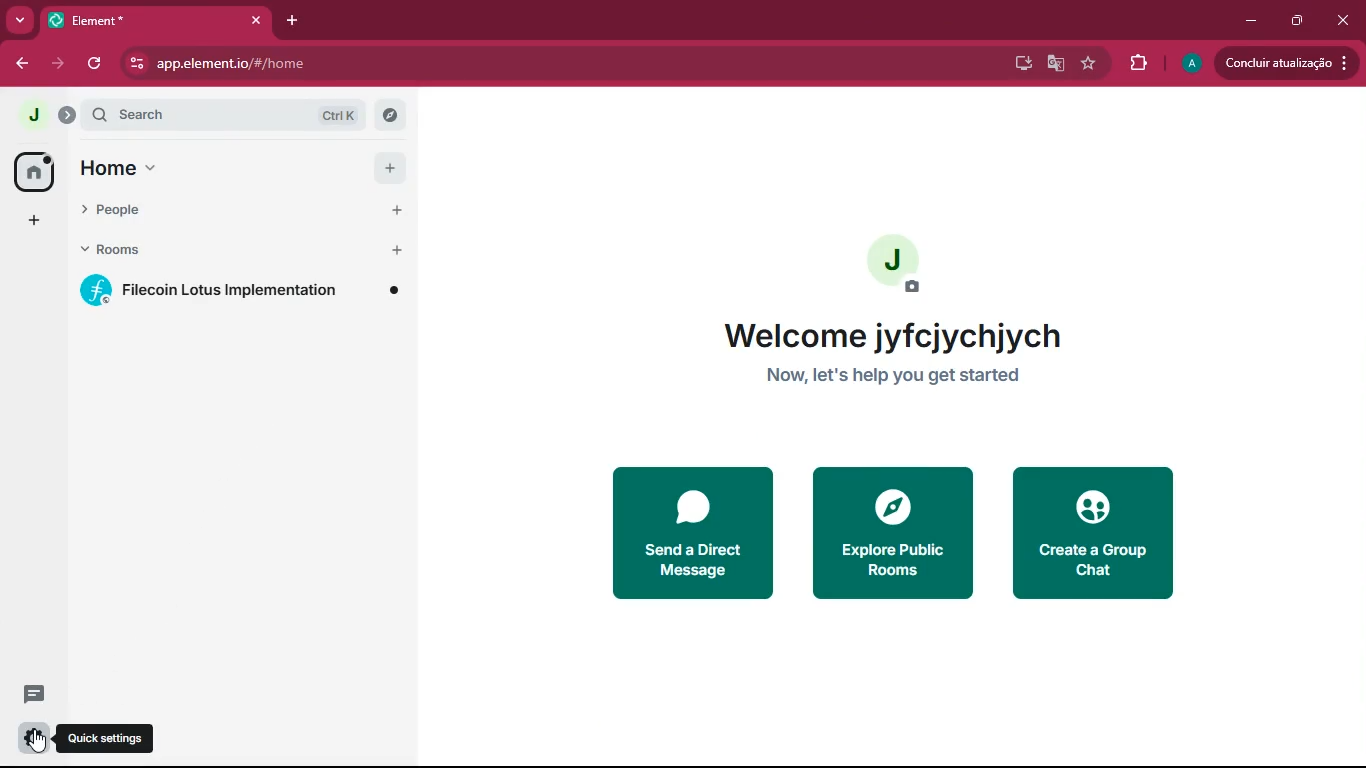  What do you see at coordinates (890, 530) in the screenshot?
I see `explore` at bounding box center [890, 530].